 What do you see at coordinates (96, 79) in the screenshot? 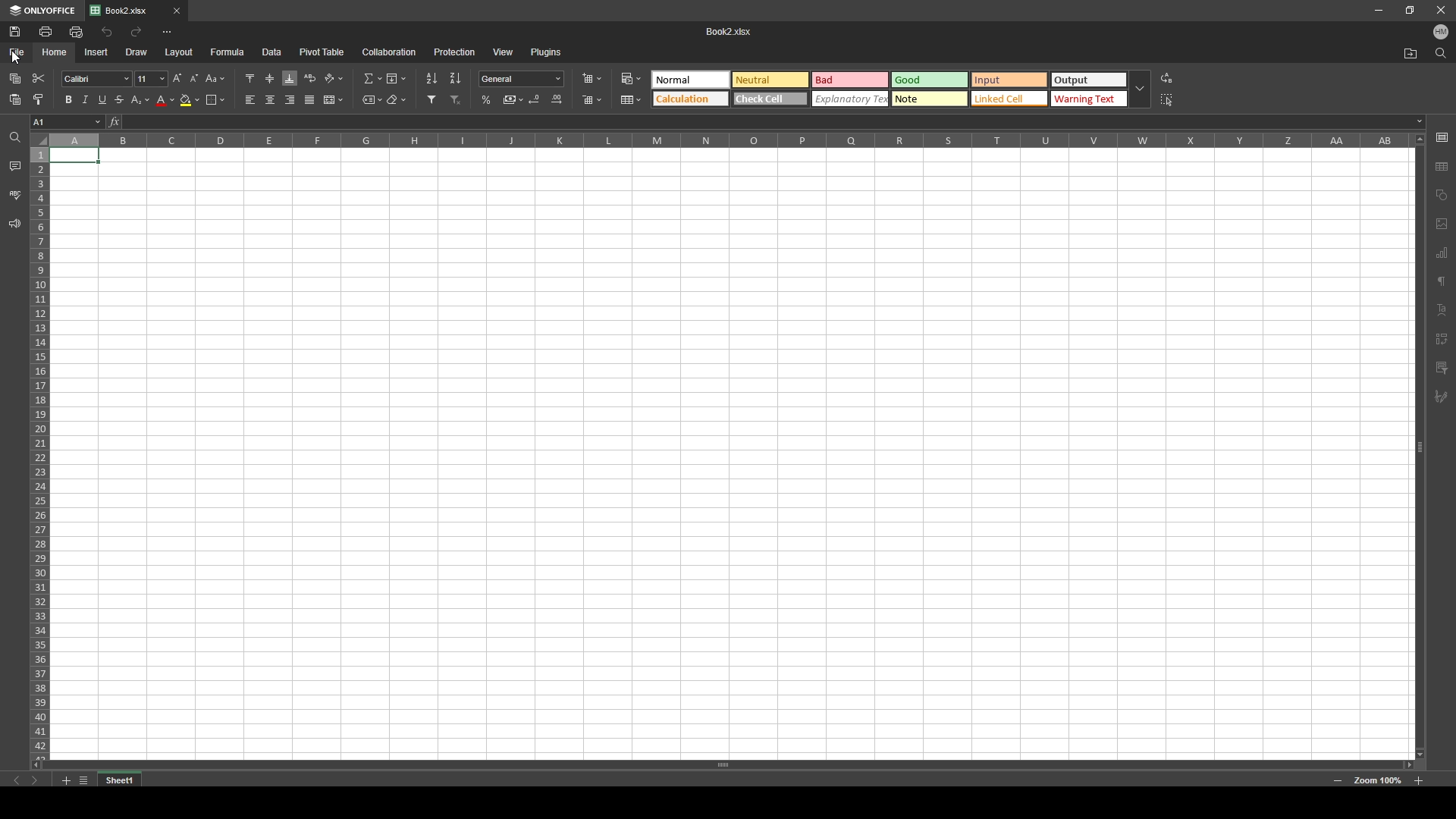
I see `font type` at bounding box center [96, 79].